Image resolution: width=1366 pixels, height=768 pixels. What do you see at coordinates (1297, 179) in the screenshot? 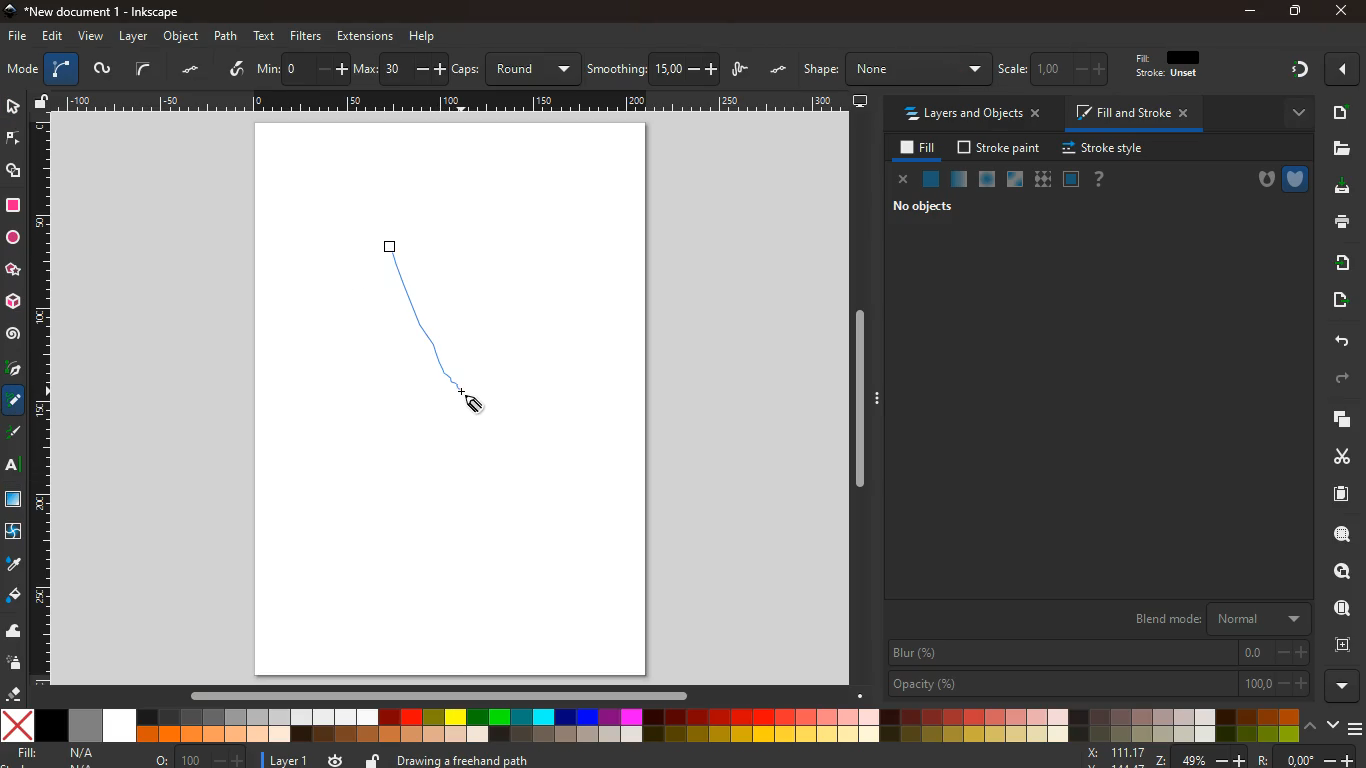
I see `shield` at bounding box center [1297, 179].